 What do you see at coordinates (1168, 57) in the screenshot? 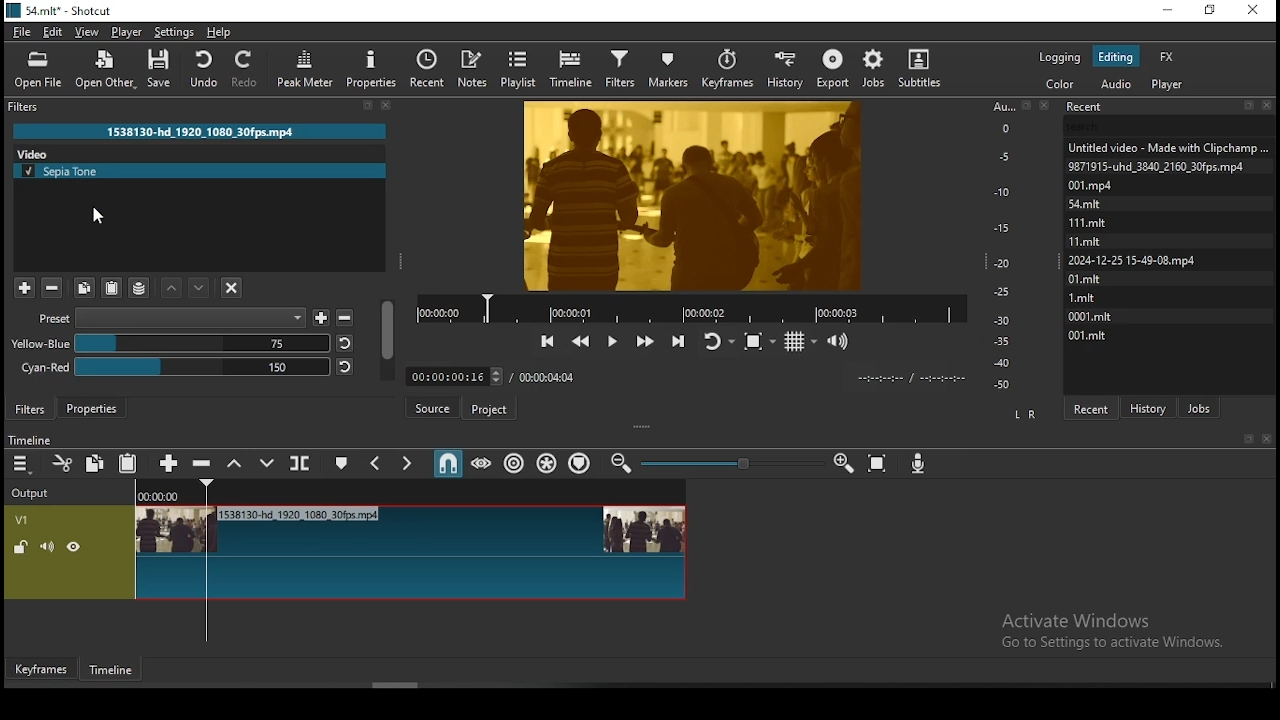
I see `fx` at bounding box center [1168, 57].